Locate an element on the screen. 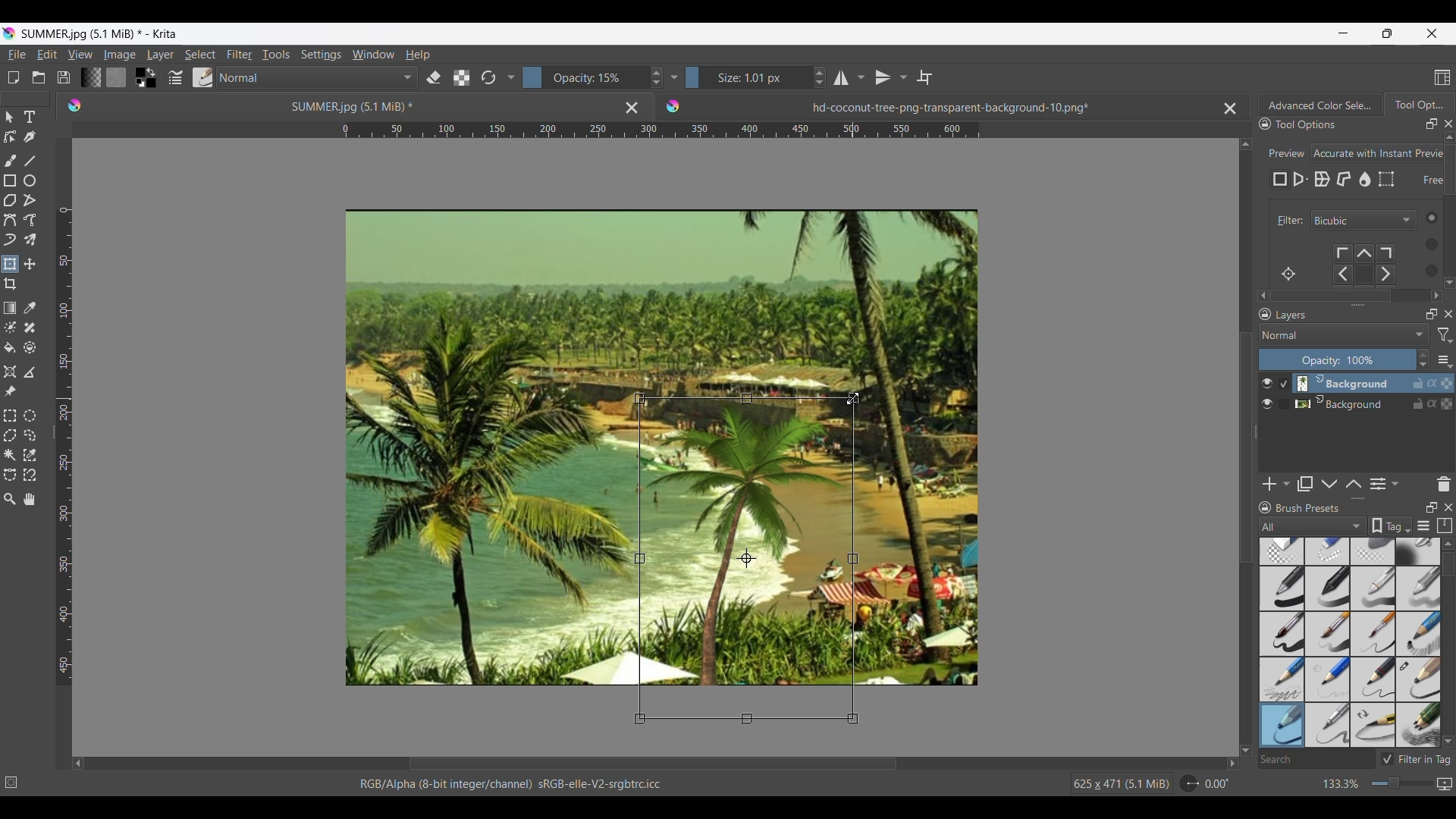 This screenshot has height=819, width=1456. Normal mode options is located at coordinates (1344, 334).